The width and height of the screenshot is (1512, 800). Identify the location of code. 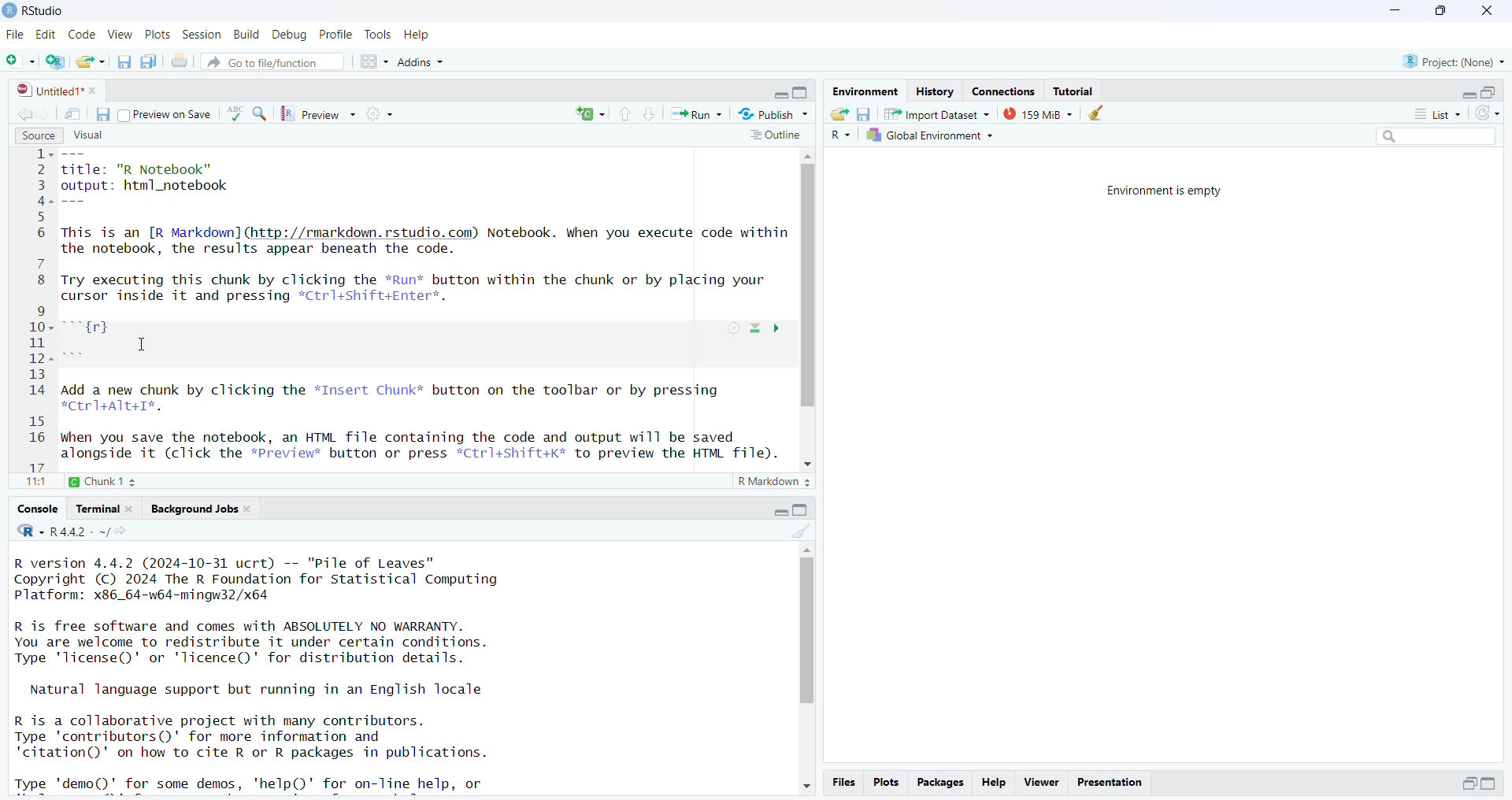
(83, 34).